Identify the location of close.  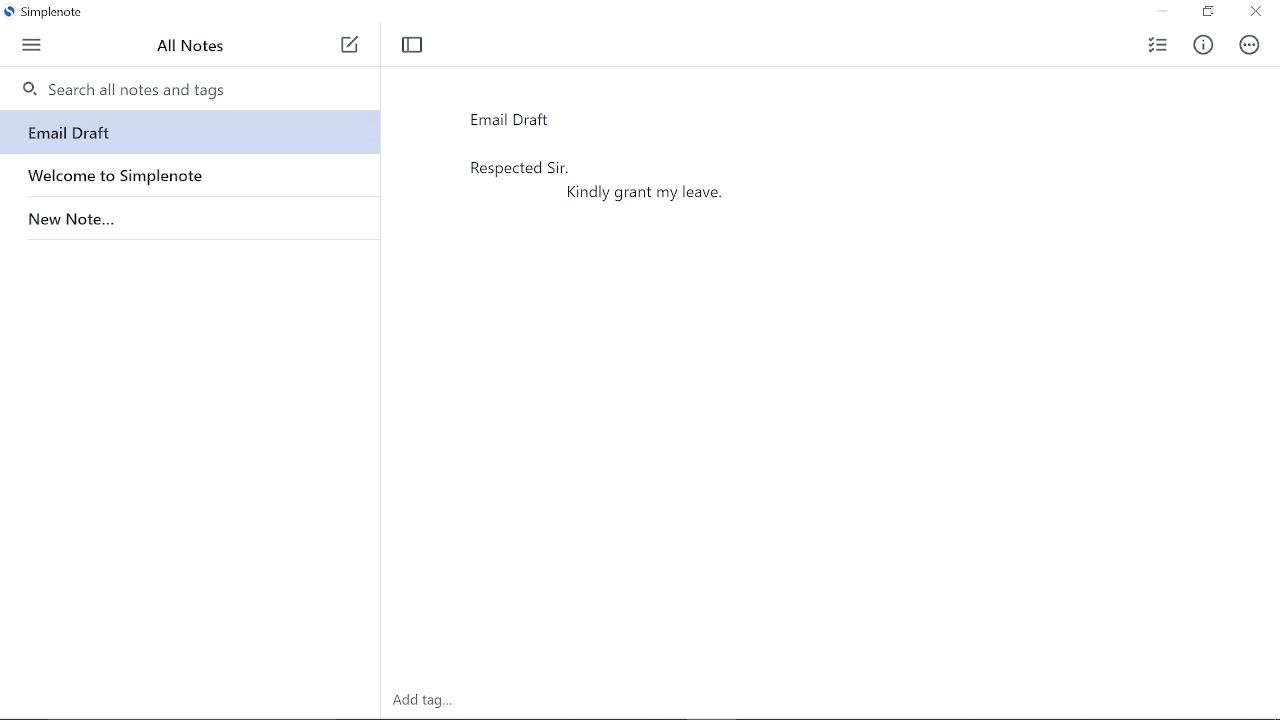
(1255, 13).